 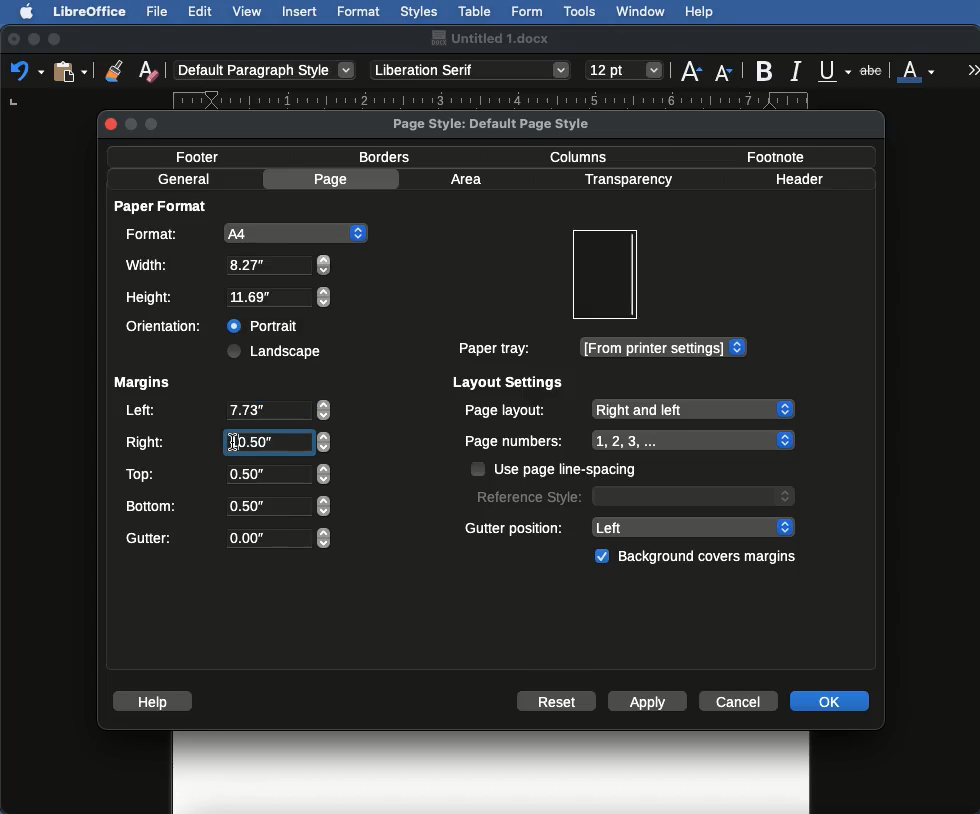 I want to click on Ruler, so click(x=508, y=100).